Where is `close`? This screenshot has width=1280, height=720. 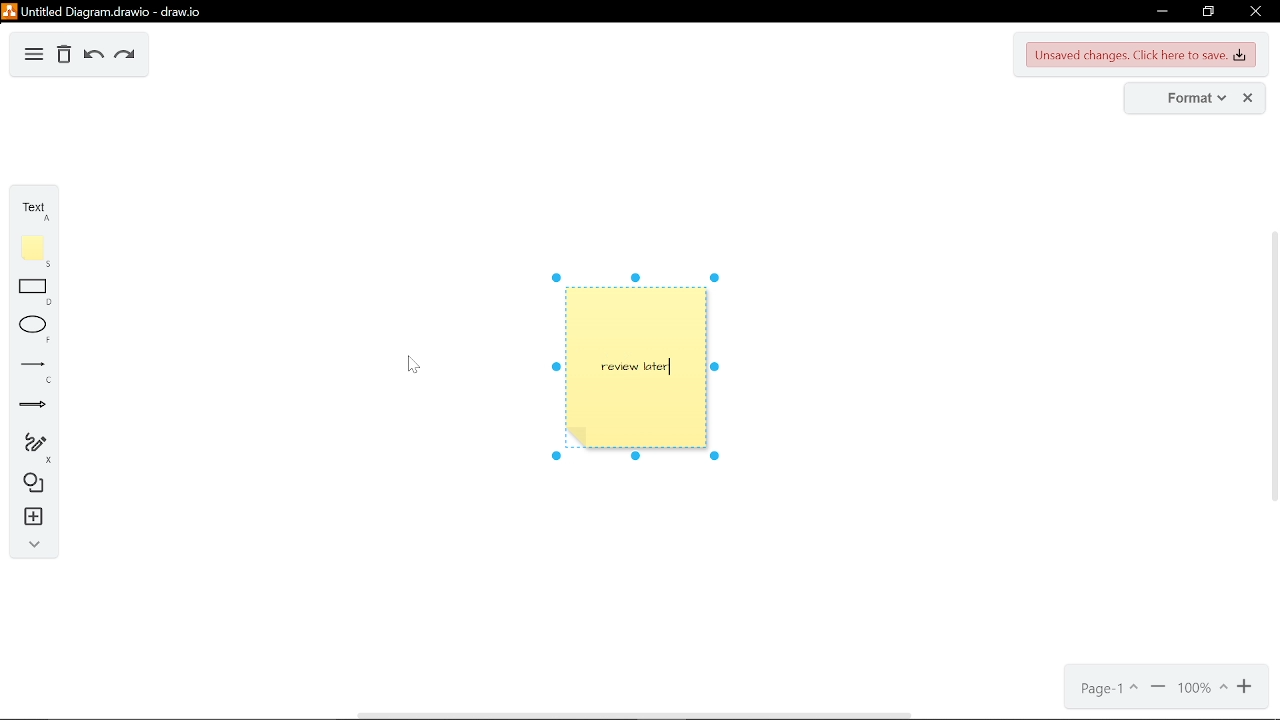 close is located at coordinates (1256, 11).